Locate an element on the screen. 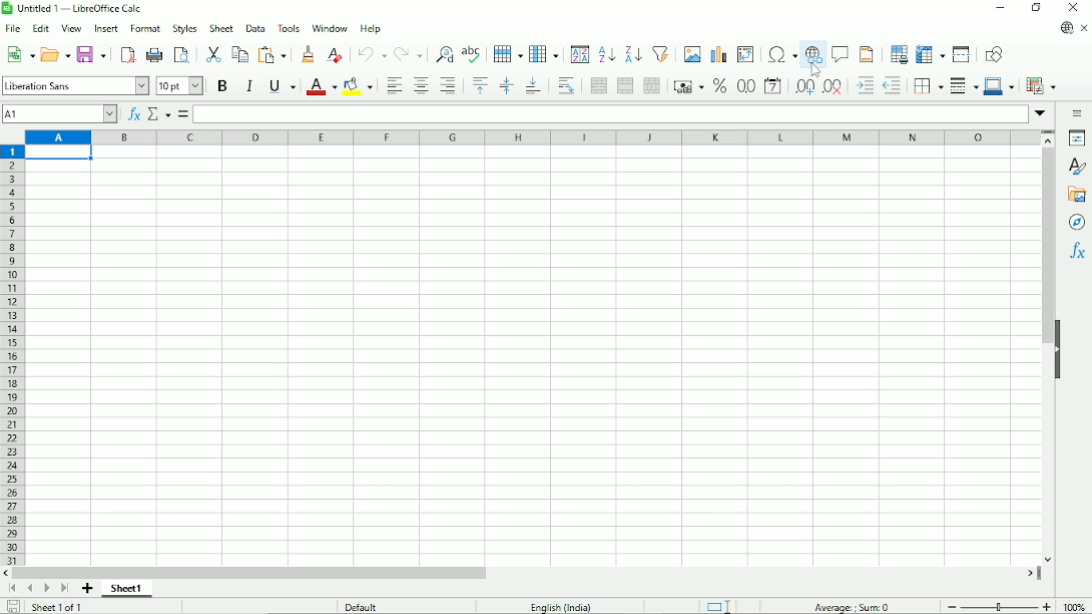  Conditional is located at coordinates (1042, 85).